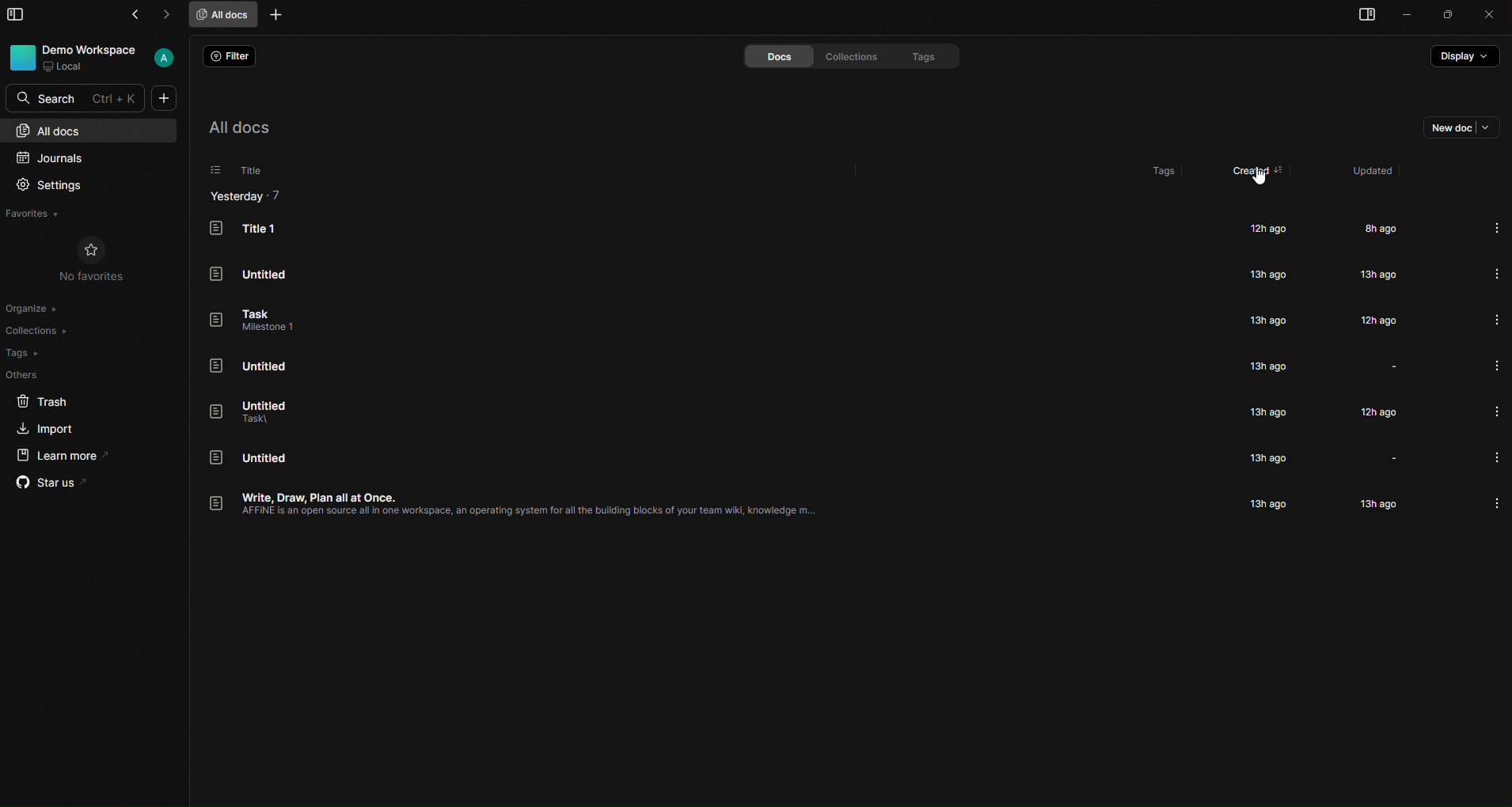 The width and height of the screenshot is (1512, 807). I want to click on Title 1, so click(245, 228).